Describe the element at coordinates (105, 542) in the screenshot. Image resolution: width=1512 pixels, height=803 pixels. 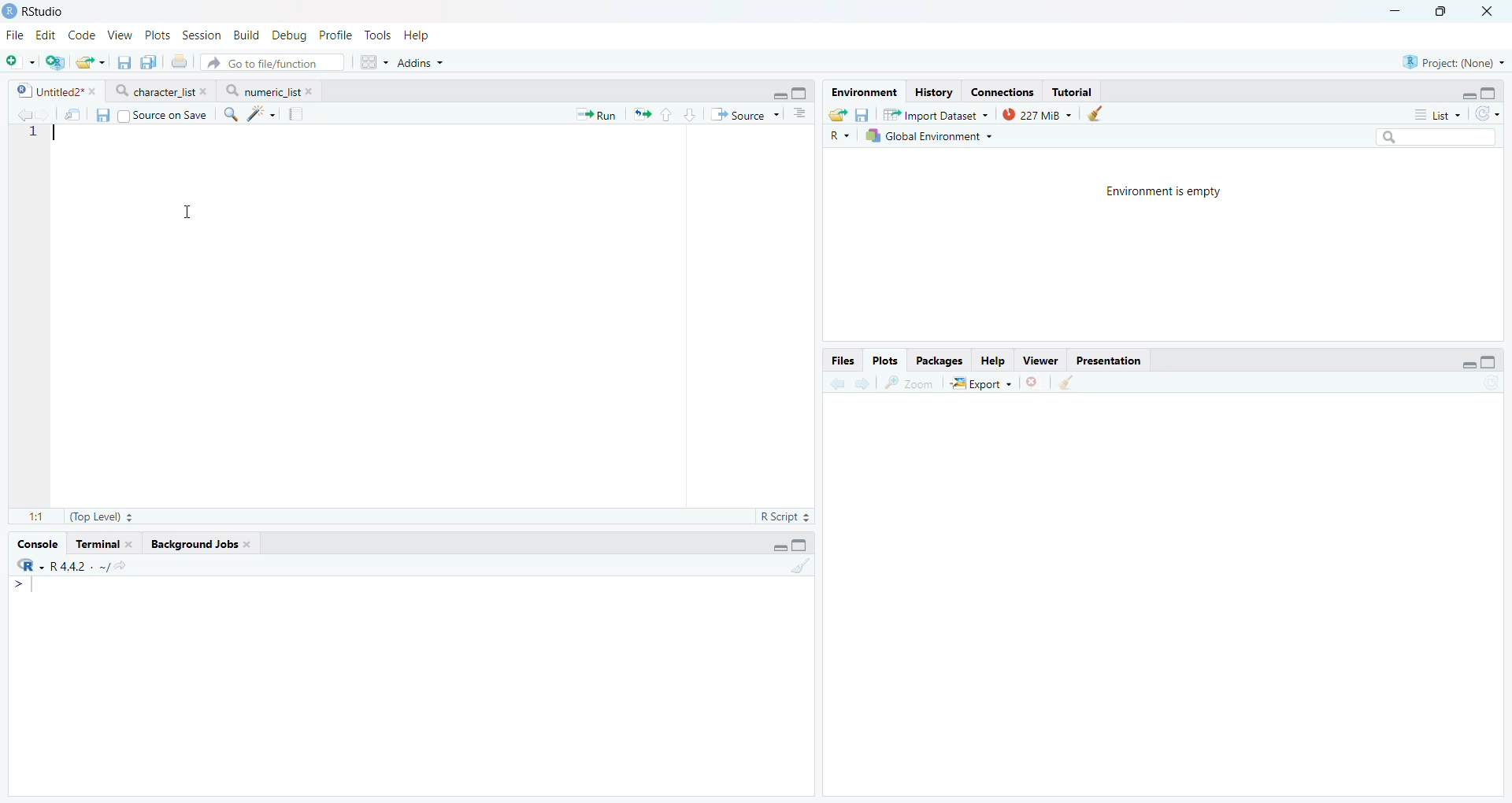
I see `Terminal` at that location.